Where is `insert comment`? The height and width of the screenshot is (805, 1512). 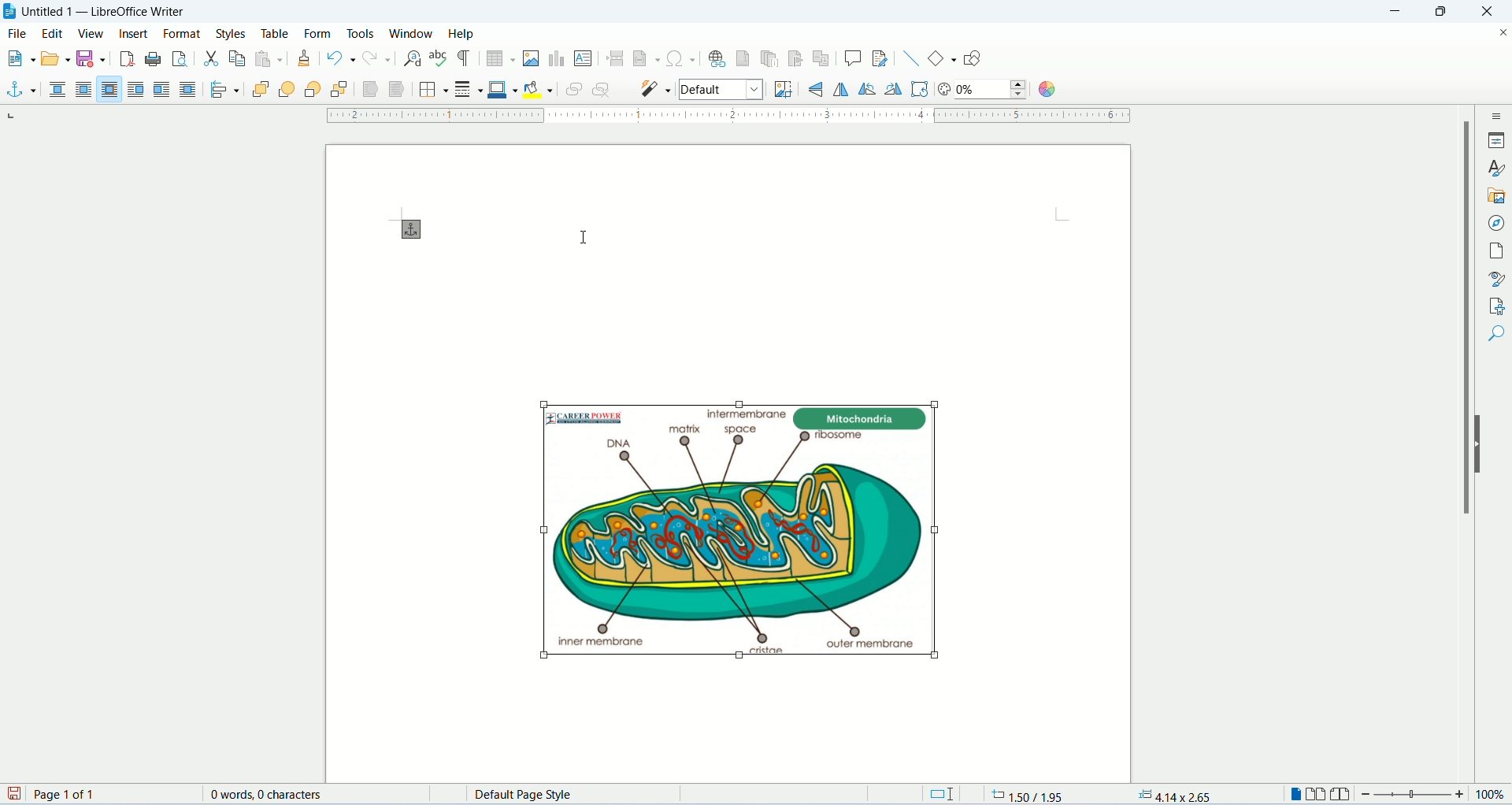 insert comment is located at coordinates (853, 58).